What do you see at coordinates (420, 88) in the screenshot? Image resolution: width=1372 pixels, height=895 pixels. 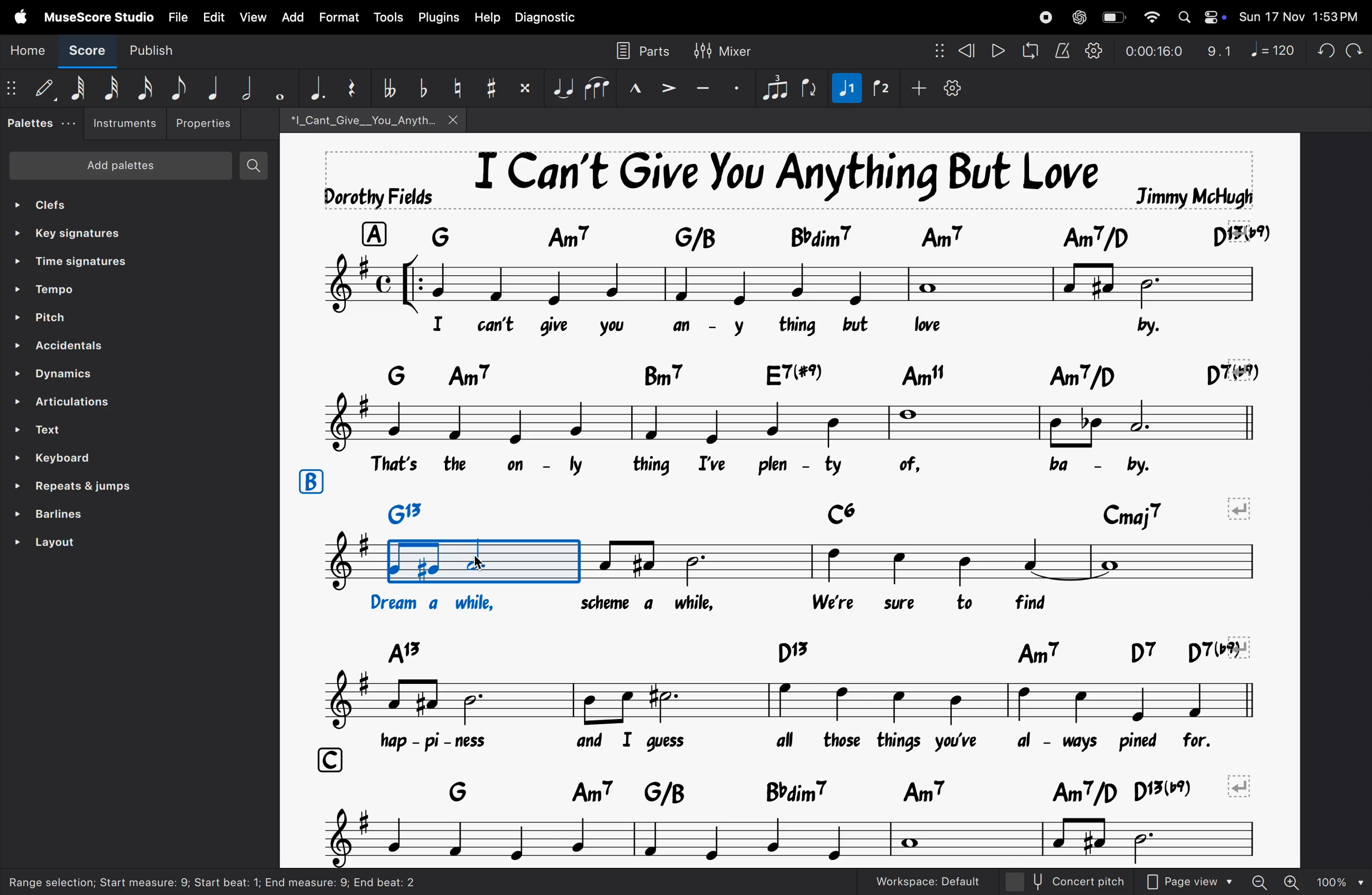 I see `toggle flat` at bounding box center [420, 88].